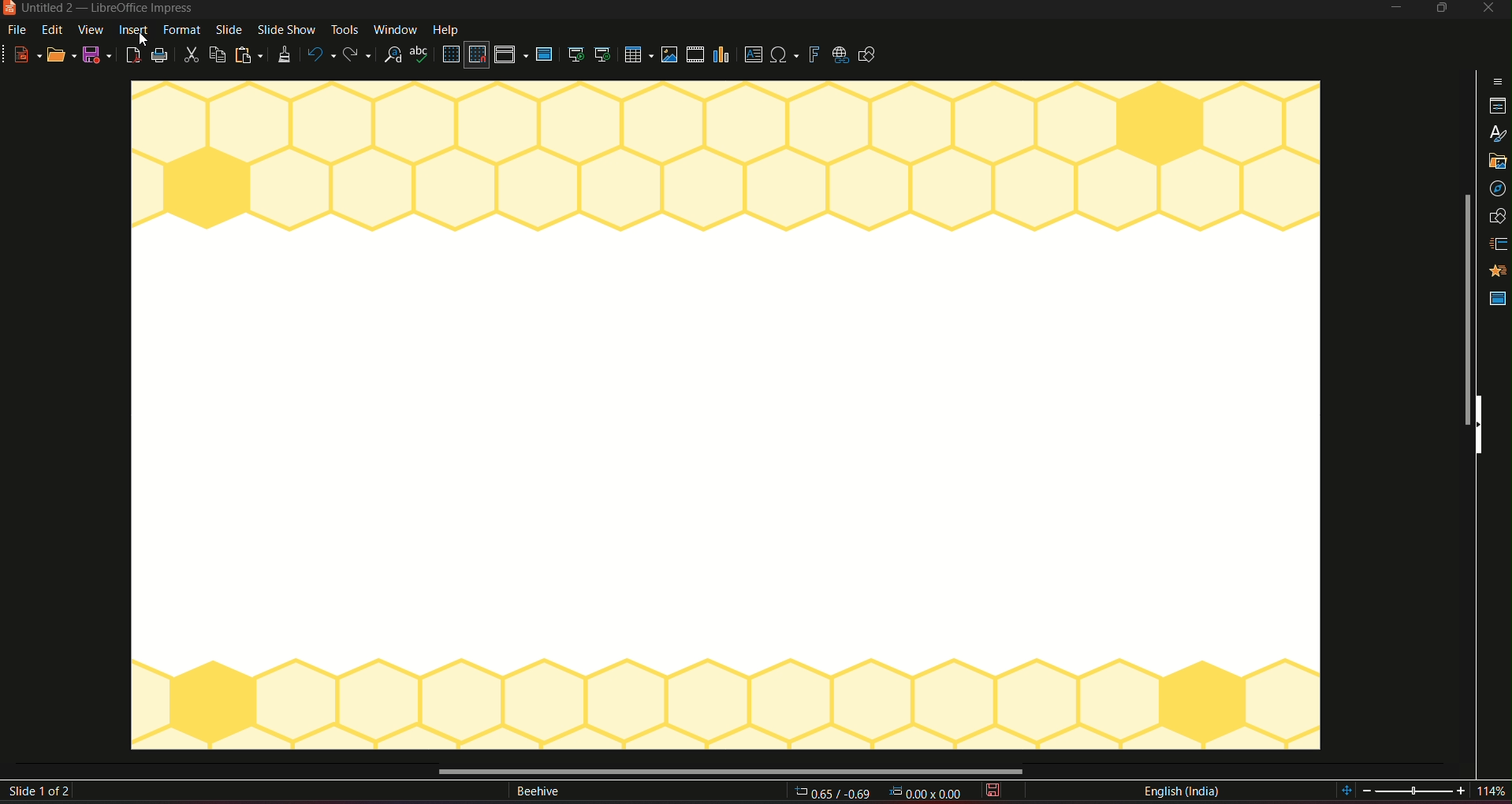  I want to click on master slide, so click(1498, 301).